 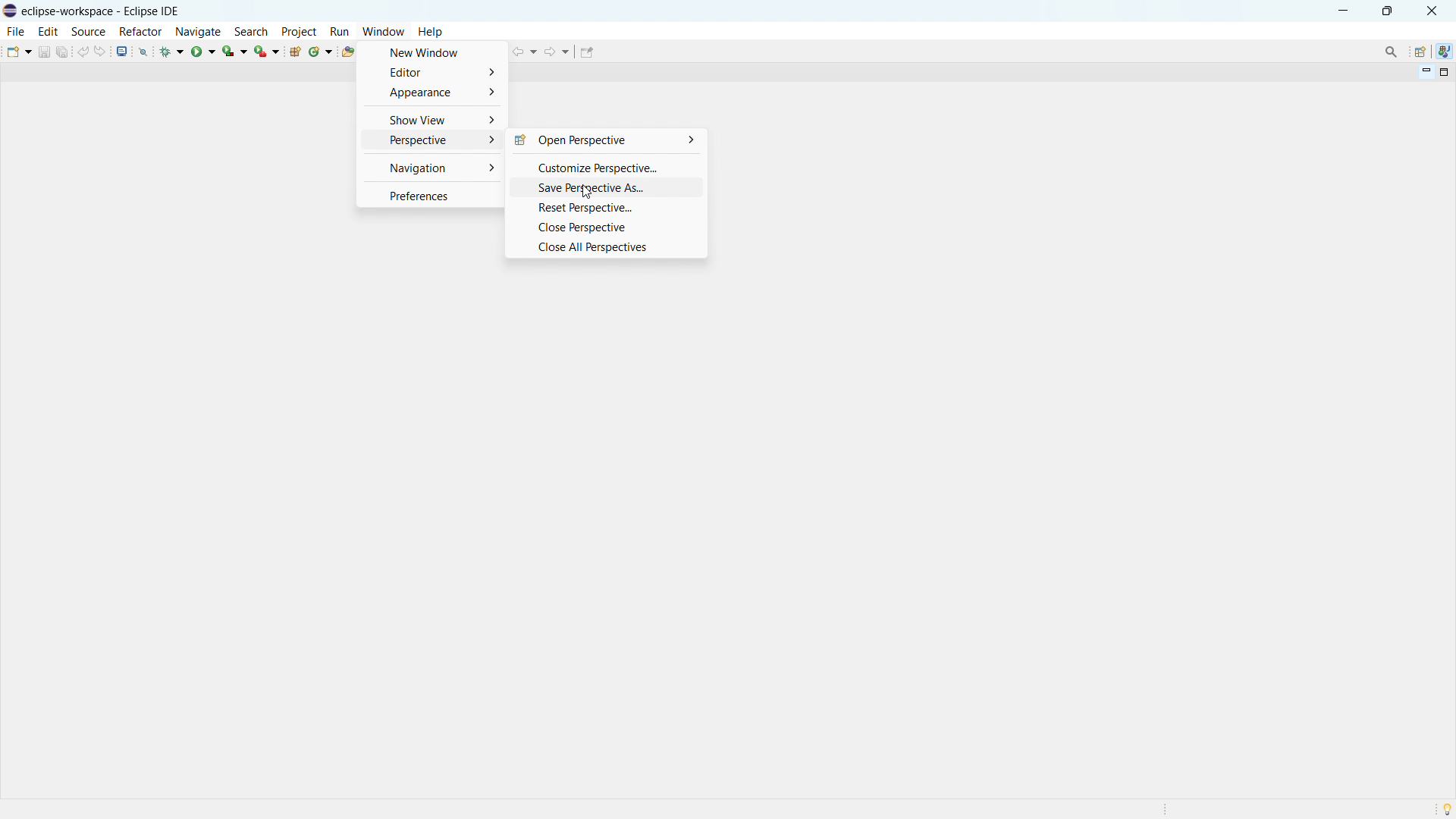 What do you see at coordinates (17, 51) in the screenshot?
I see `new` at bounding box center [17, 51].